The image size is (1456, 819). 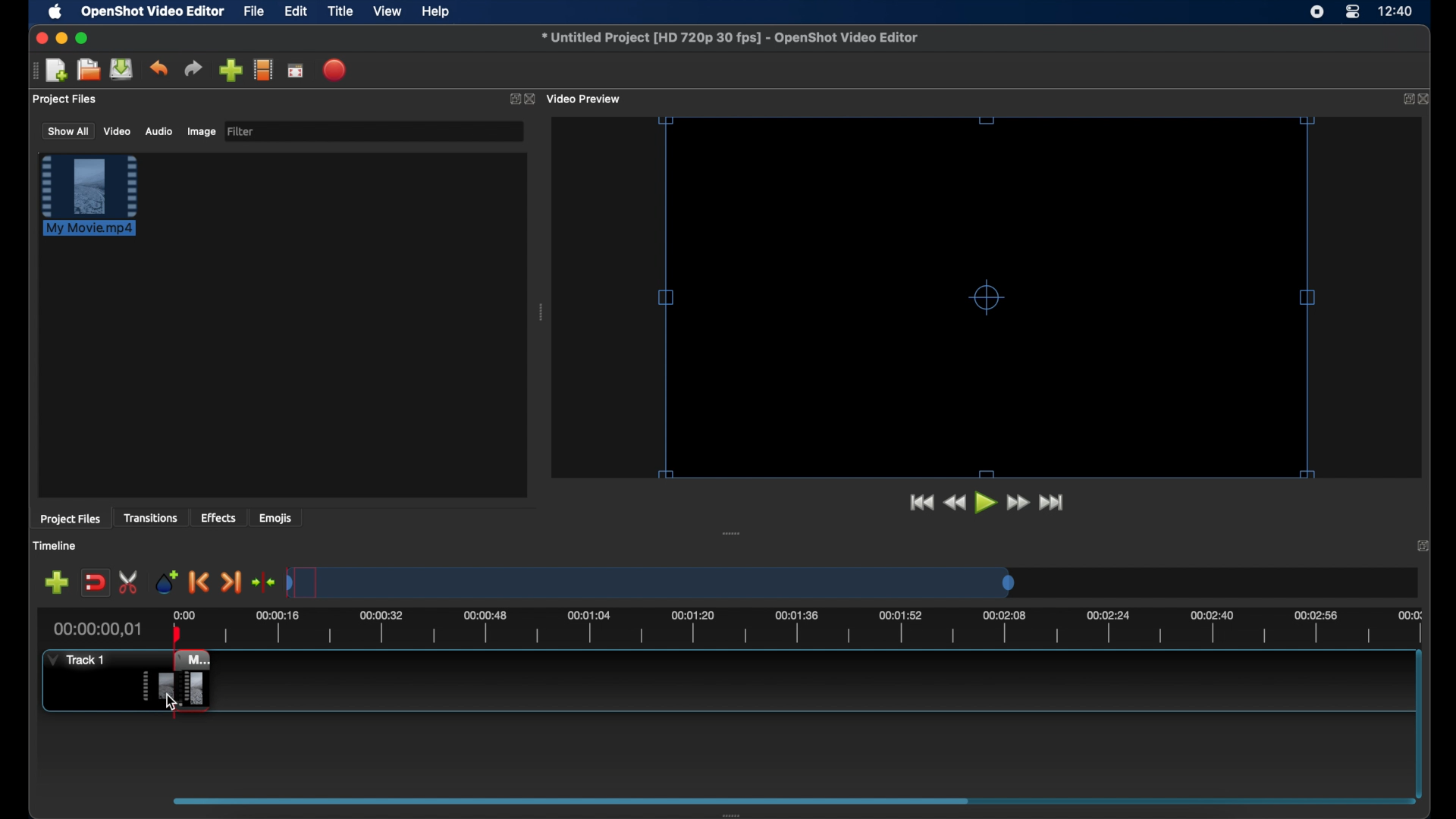 I want to click on jump to start, so click(x=918, y=502).